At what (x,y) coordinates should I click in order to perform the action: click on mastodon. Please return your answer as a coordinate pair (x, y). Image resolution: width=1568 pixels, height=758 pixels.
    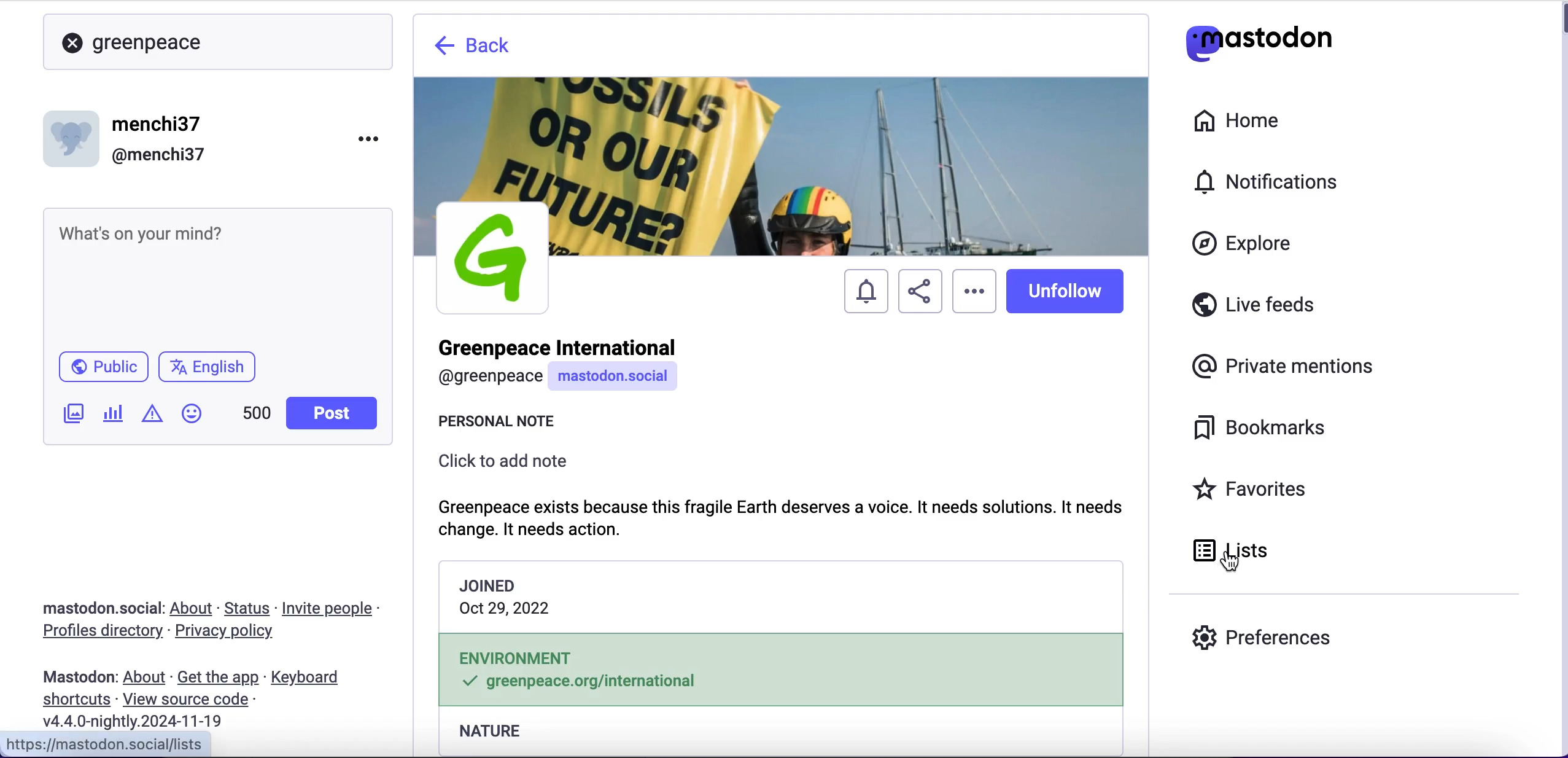
    Looking at the image, I should click on (79, 677).